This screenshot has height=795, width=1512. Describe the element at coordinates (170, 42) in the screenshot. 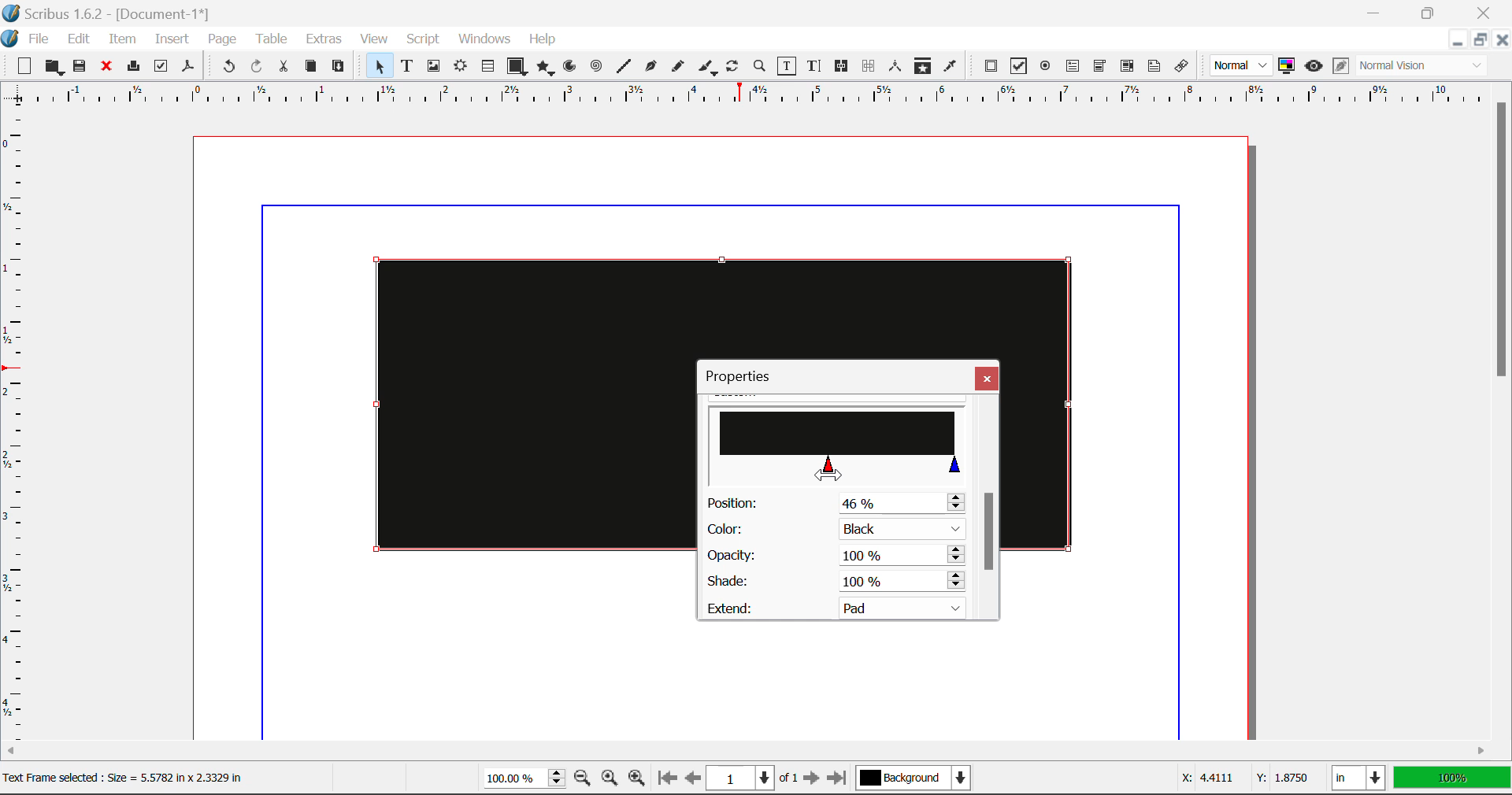

I see `Insert` at that location.